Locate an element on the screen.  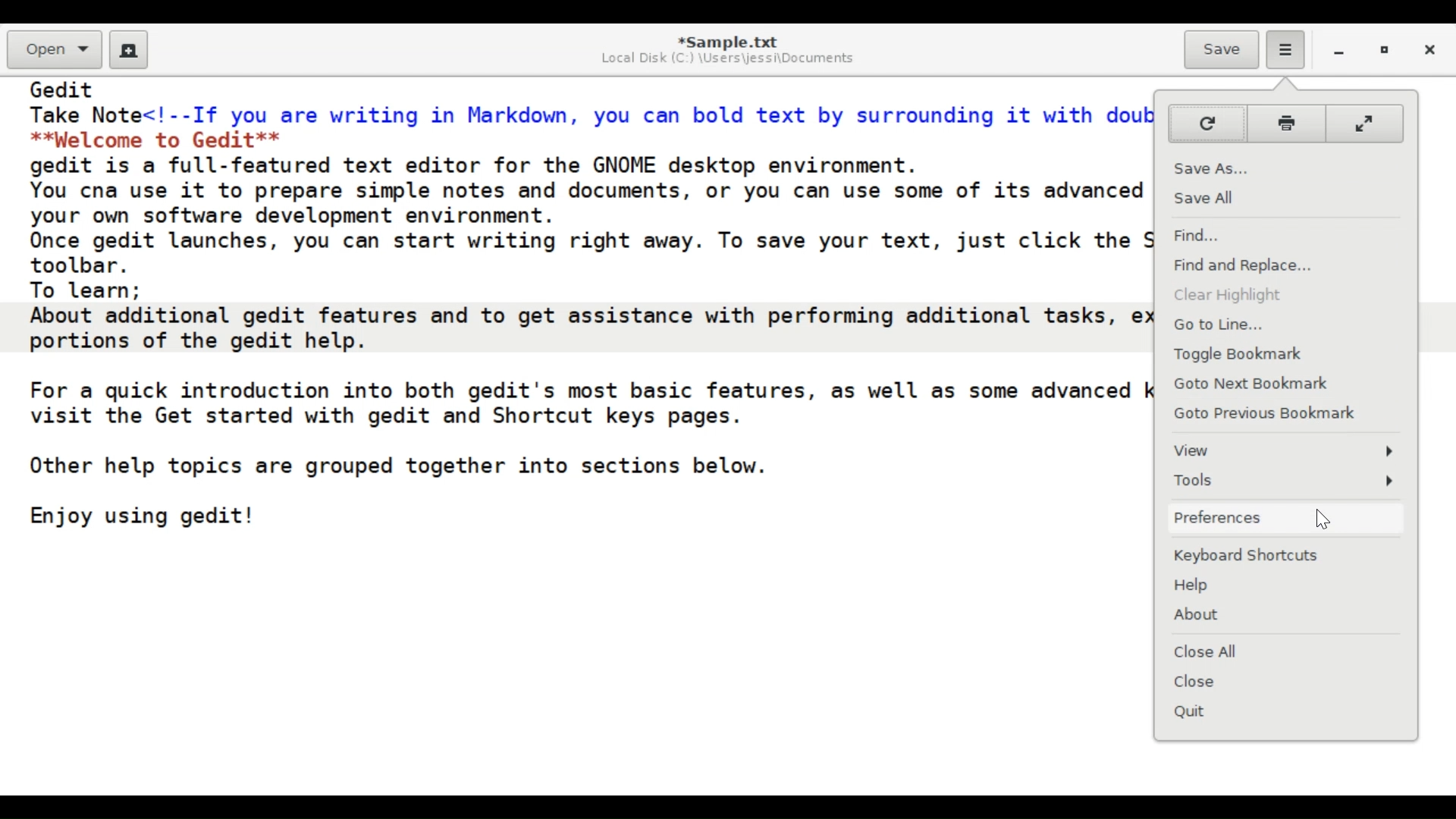
Preferences is located at coordinates (1285, 516).